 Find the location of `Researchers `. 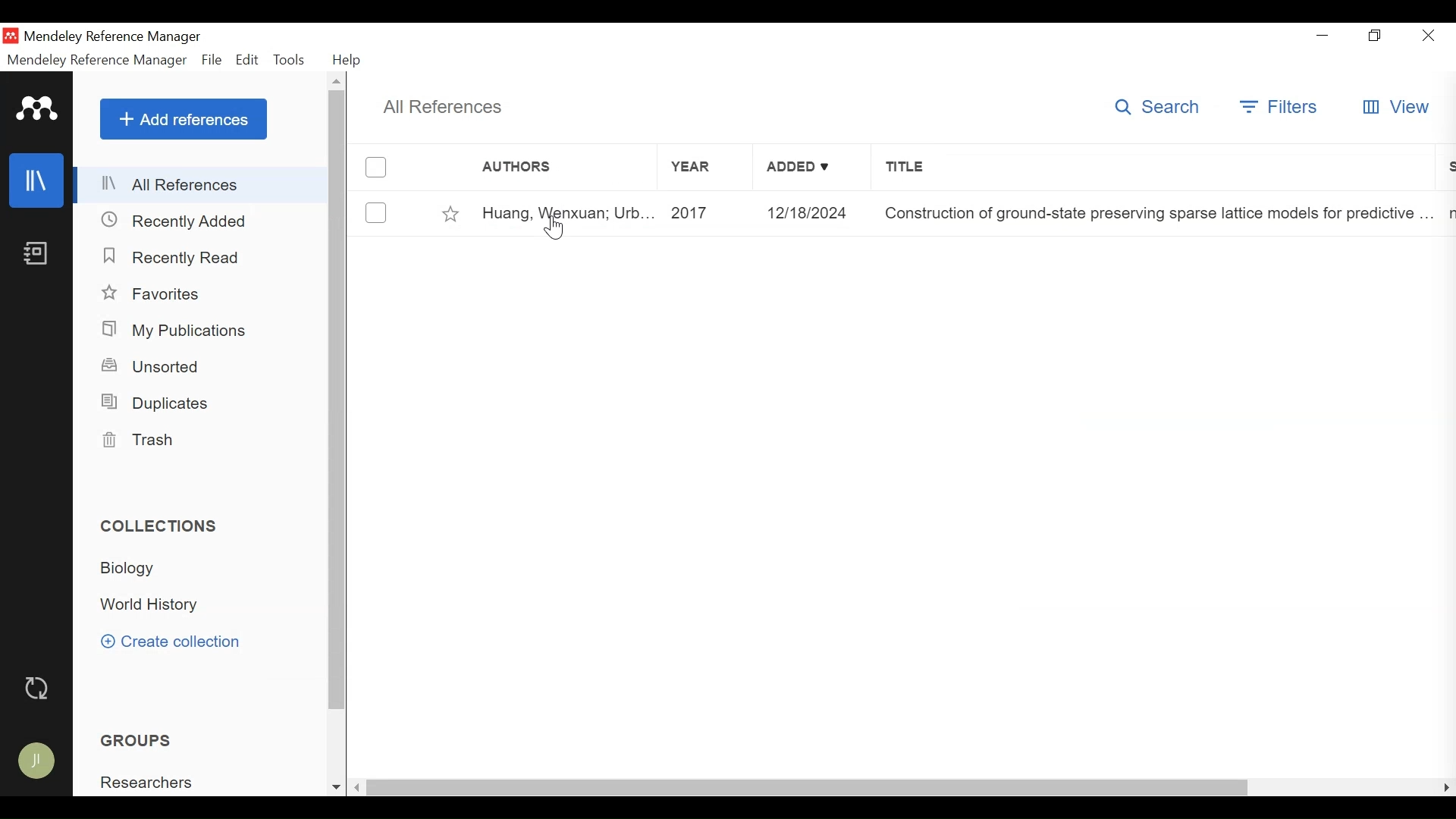

Researchers  is located at coordinates (149, 782).